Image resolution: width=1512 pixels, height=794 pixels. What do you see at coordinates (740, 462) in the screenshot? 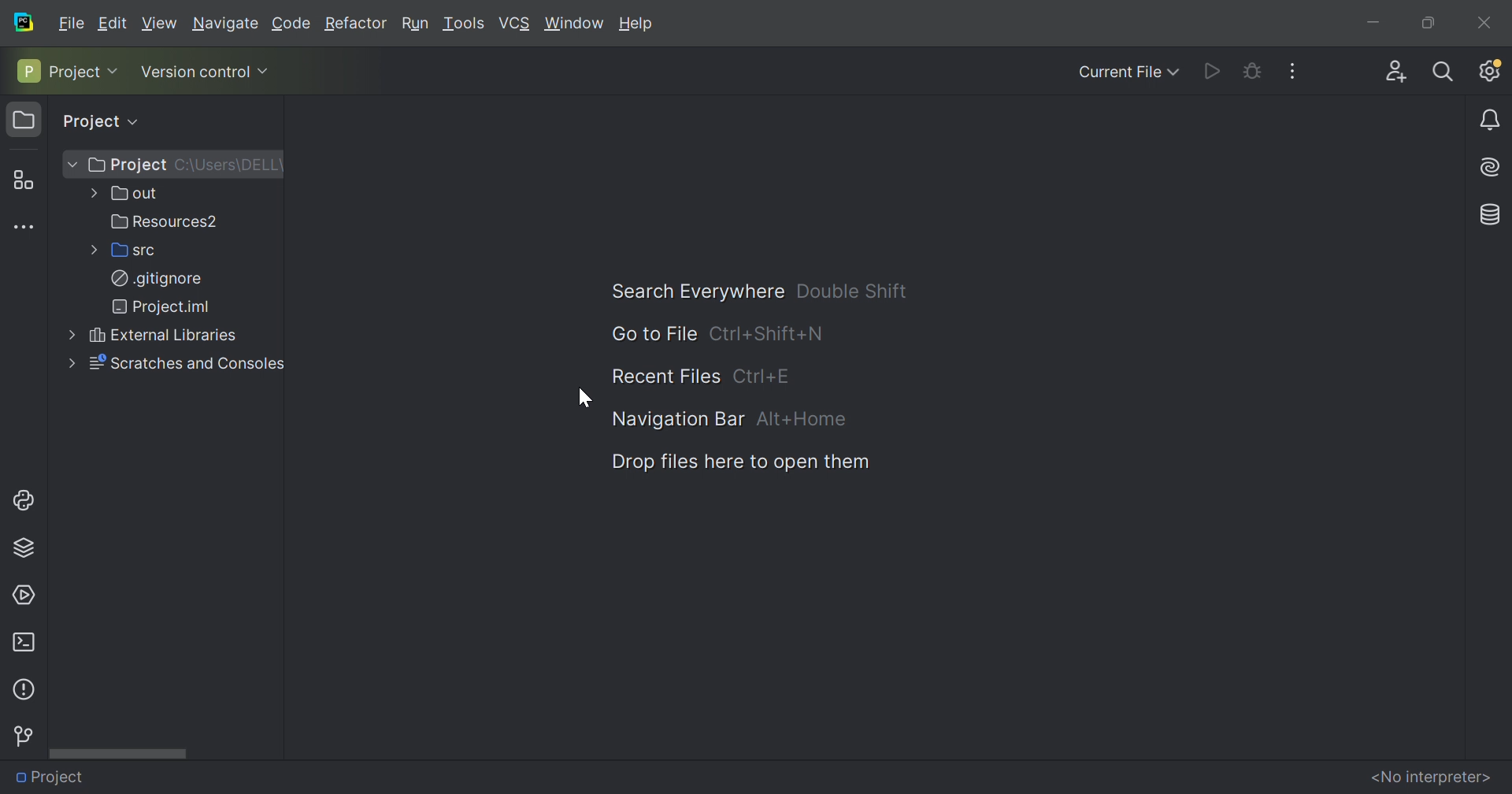
I see `Drop files here to open them` at bounding box center [740, 462].